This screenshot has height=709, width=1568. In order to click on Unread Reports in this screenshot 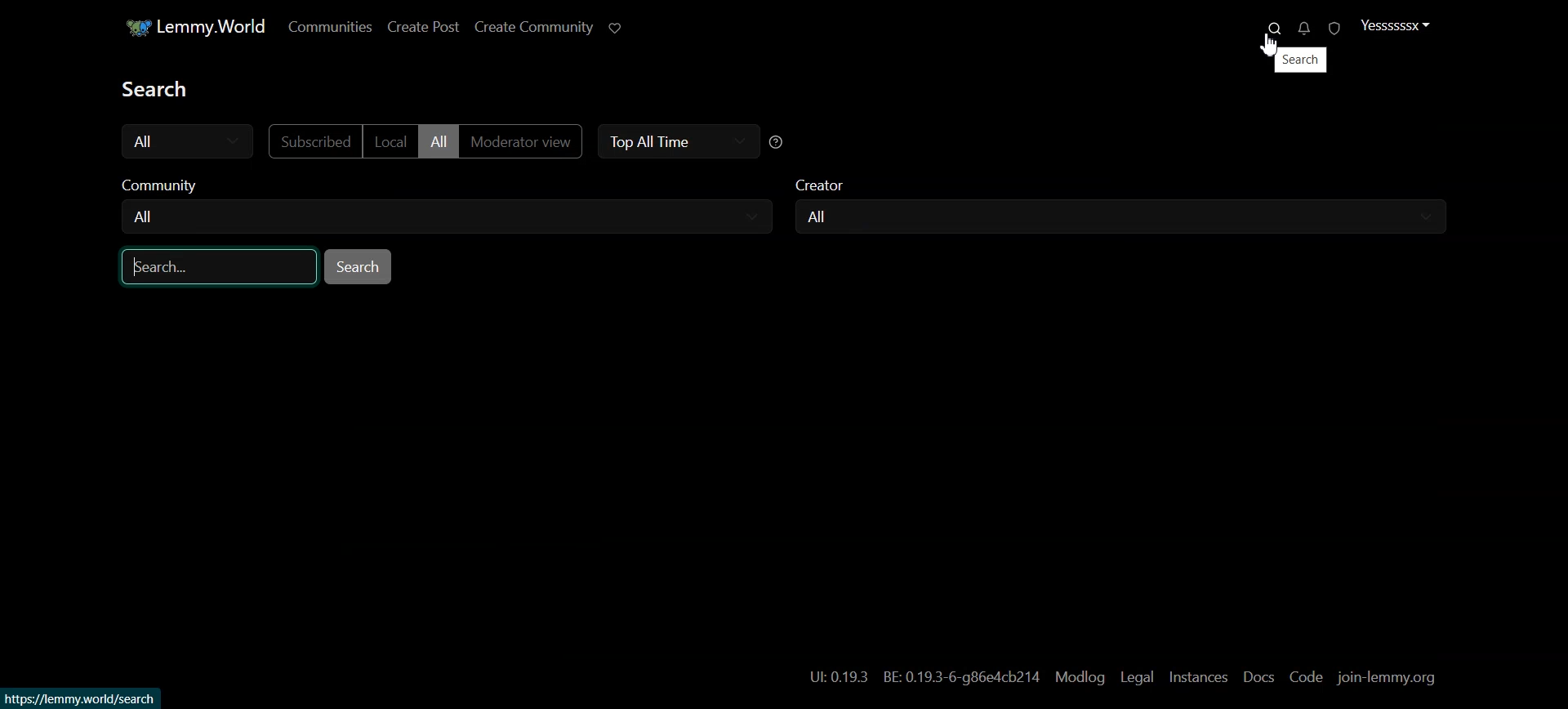, I will do `click(1325, 28)`.